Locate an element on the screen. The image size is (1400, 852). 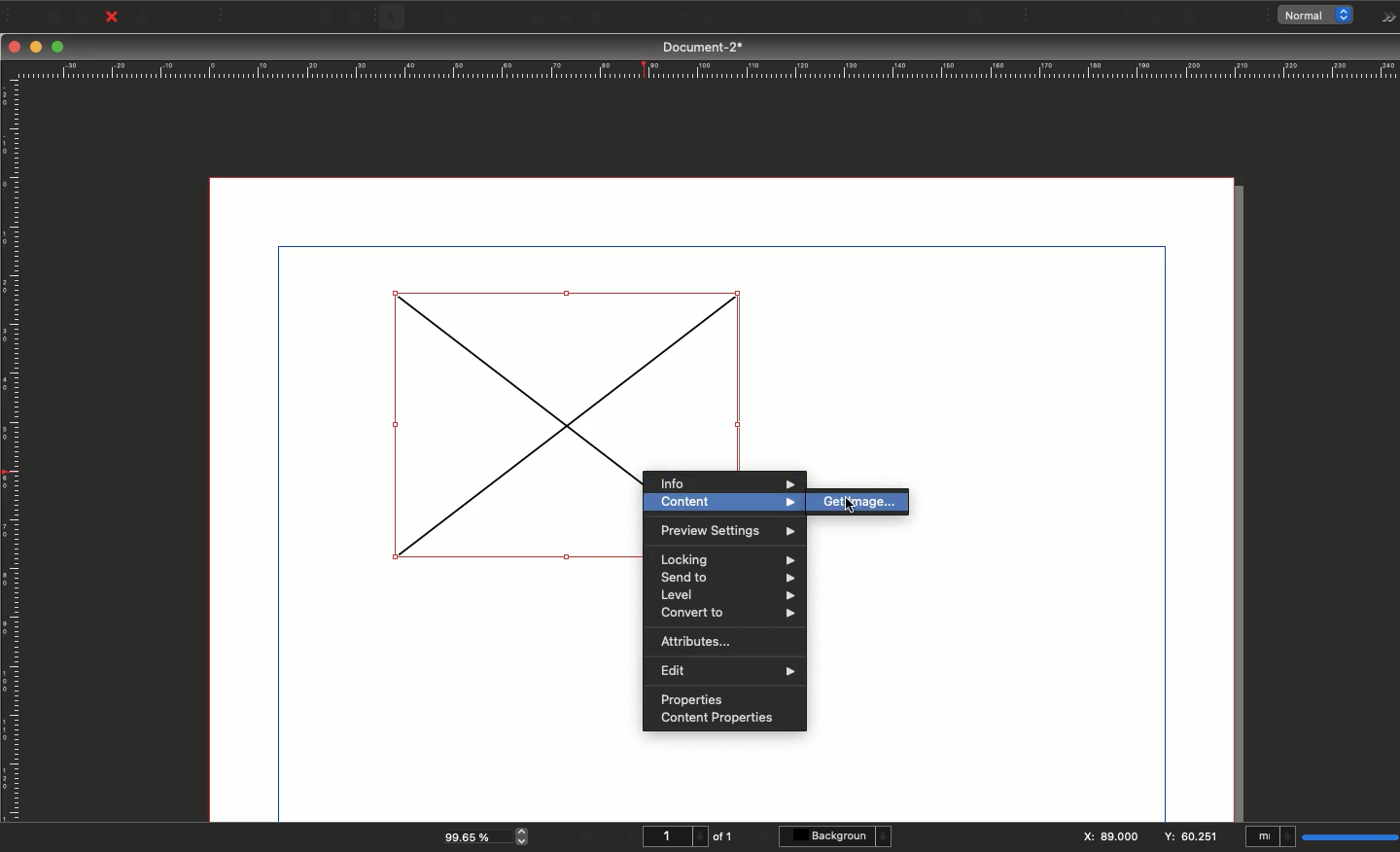
Table is located at coordinates (507, 18).